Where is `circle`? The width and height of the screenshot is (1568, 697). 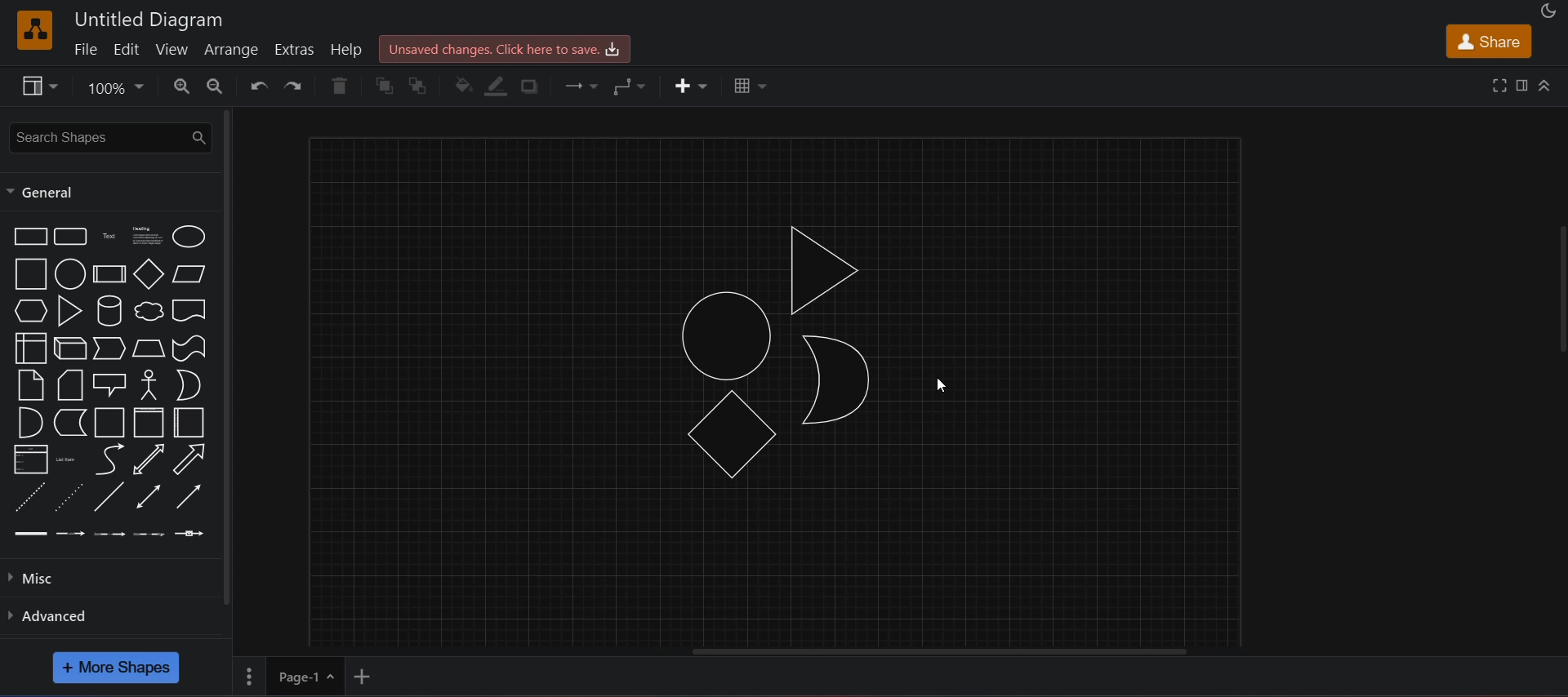 circle is located at coordinates (69, 274).